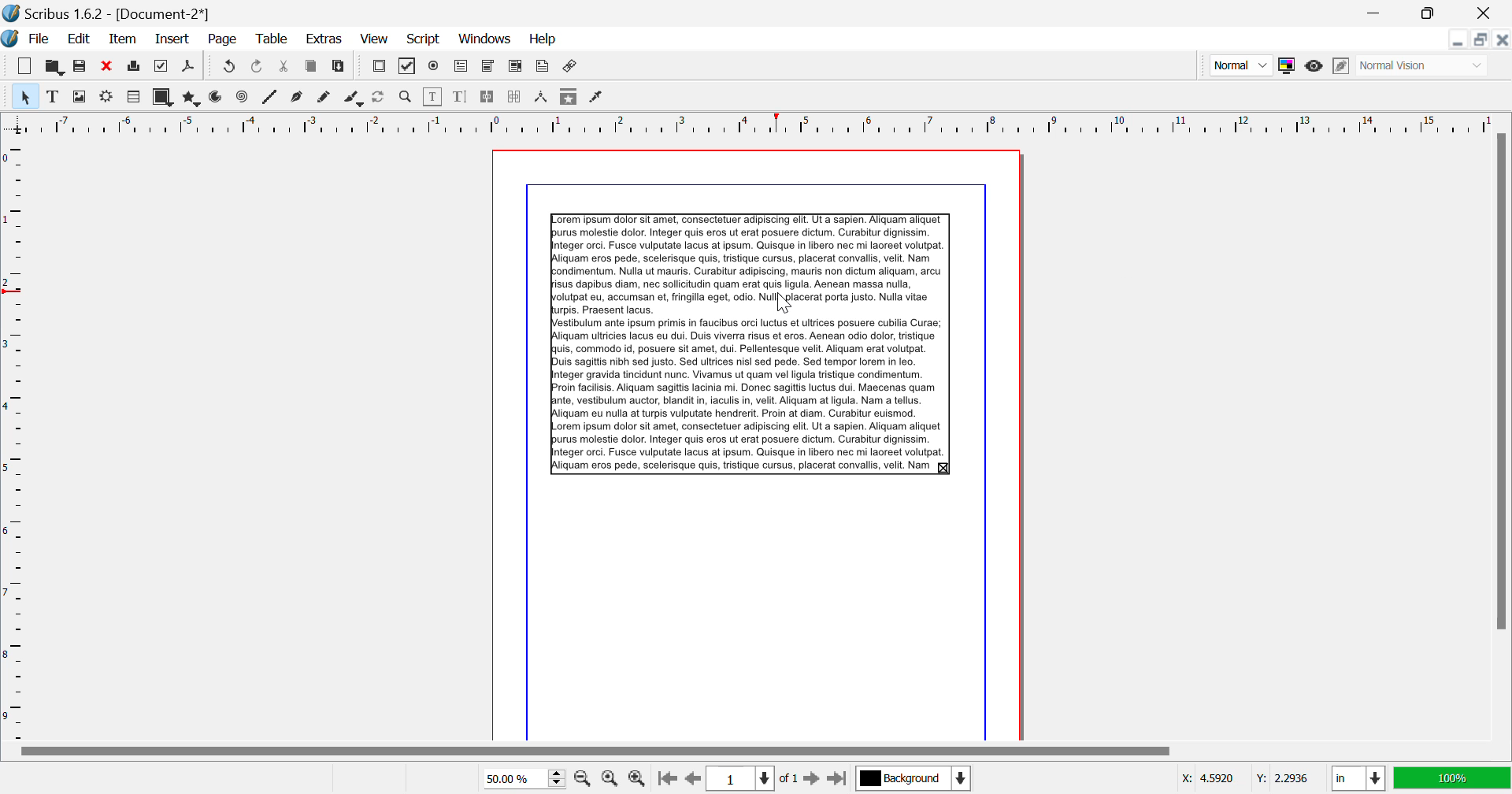 The image size is (1512, 794). Describe the element at coordinates (1359, 780) in the screenshot. I see `Measurement Units` at that location.